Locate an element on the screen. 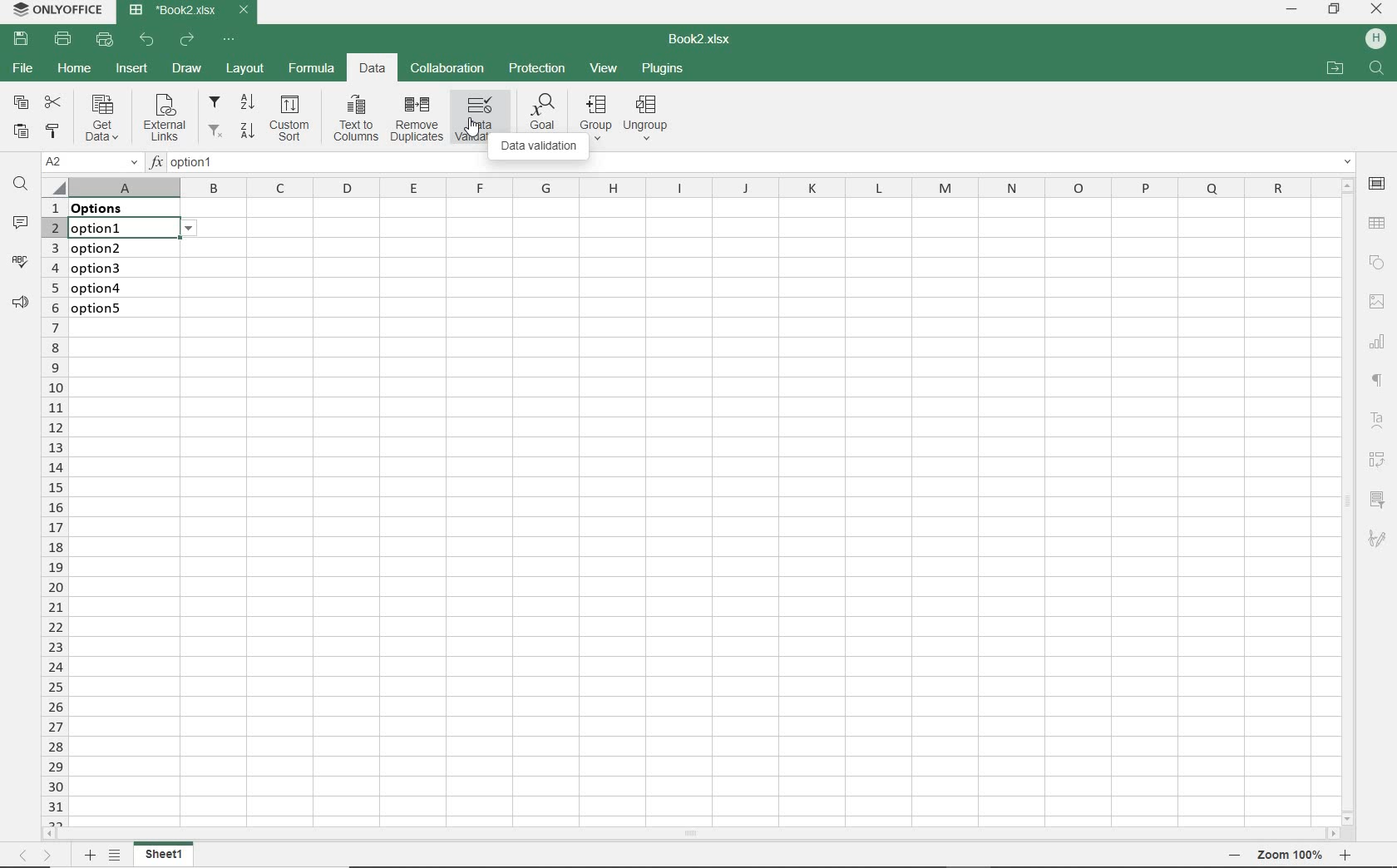 The width and height of the screenshot is (1397, 868). INSERT is located at coordinates (131, 70).